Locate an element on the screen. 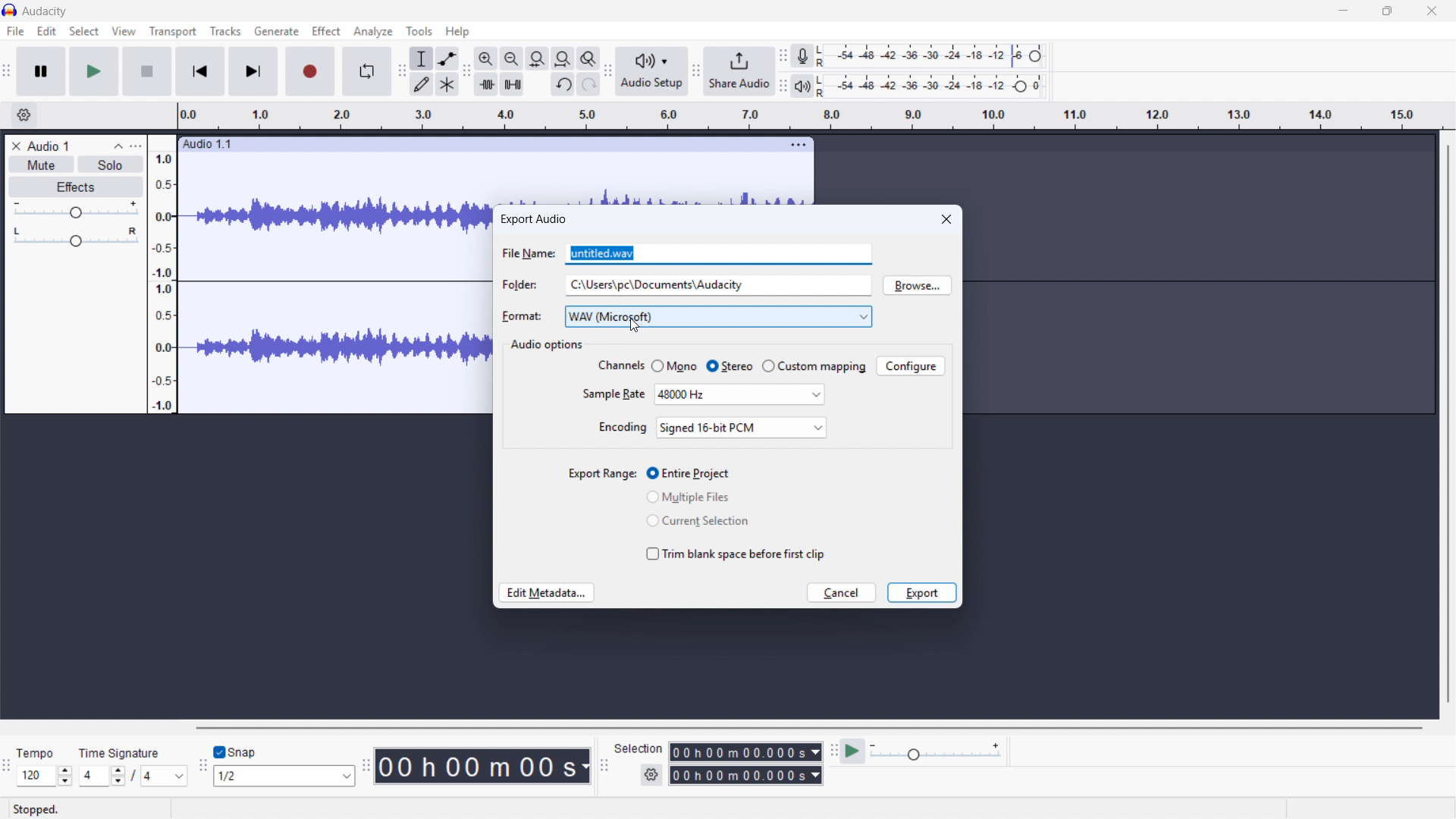  Selection settings  is located at coordinates (651, 774).